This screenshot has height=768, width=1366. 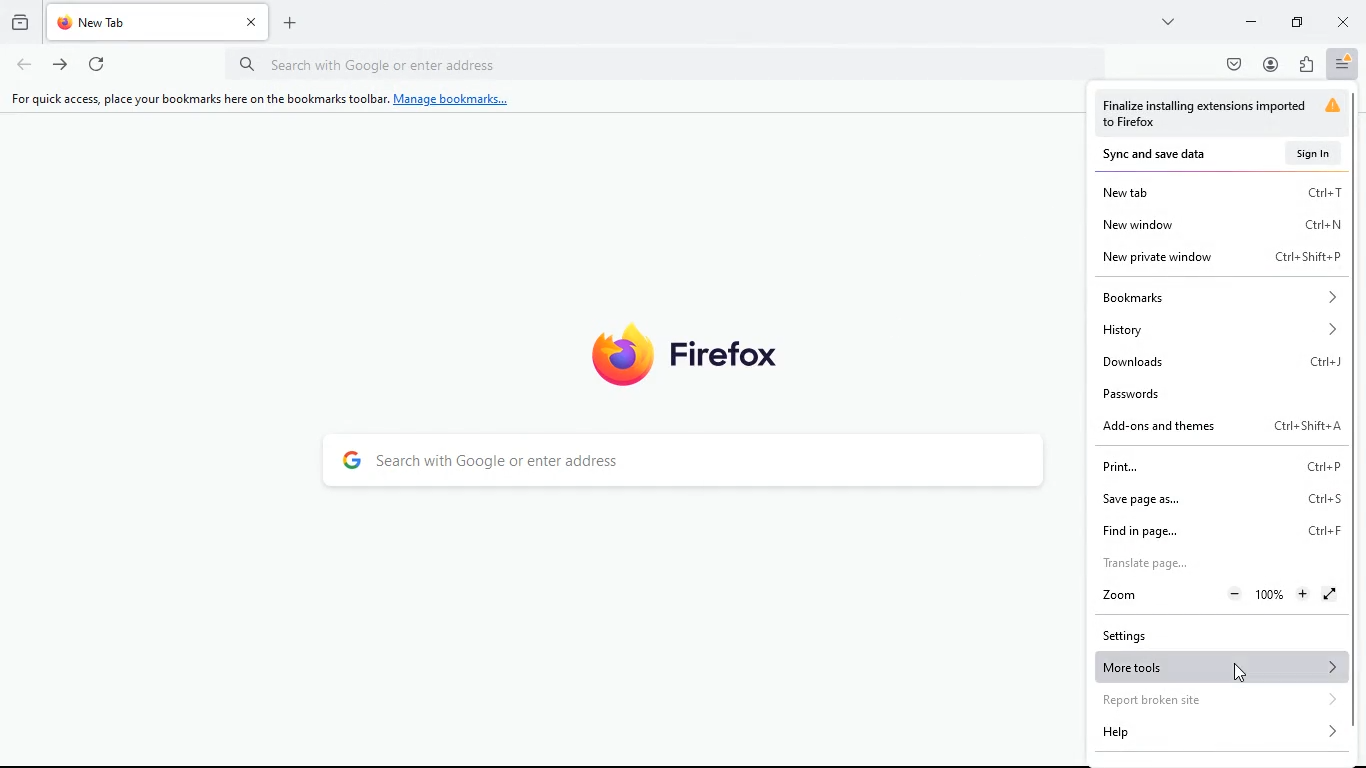 What do you see at coordinates (261, 101) in the screenshot?
I see `For quick access, place your bookmarks here on the bookmarks toolbar. Manage bookmarks...` at bounding box center [261, 101].